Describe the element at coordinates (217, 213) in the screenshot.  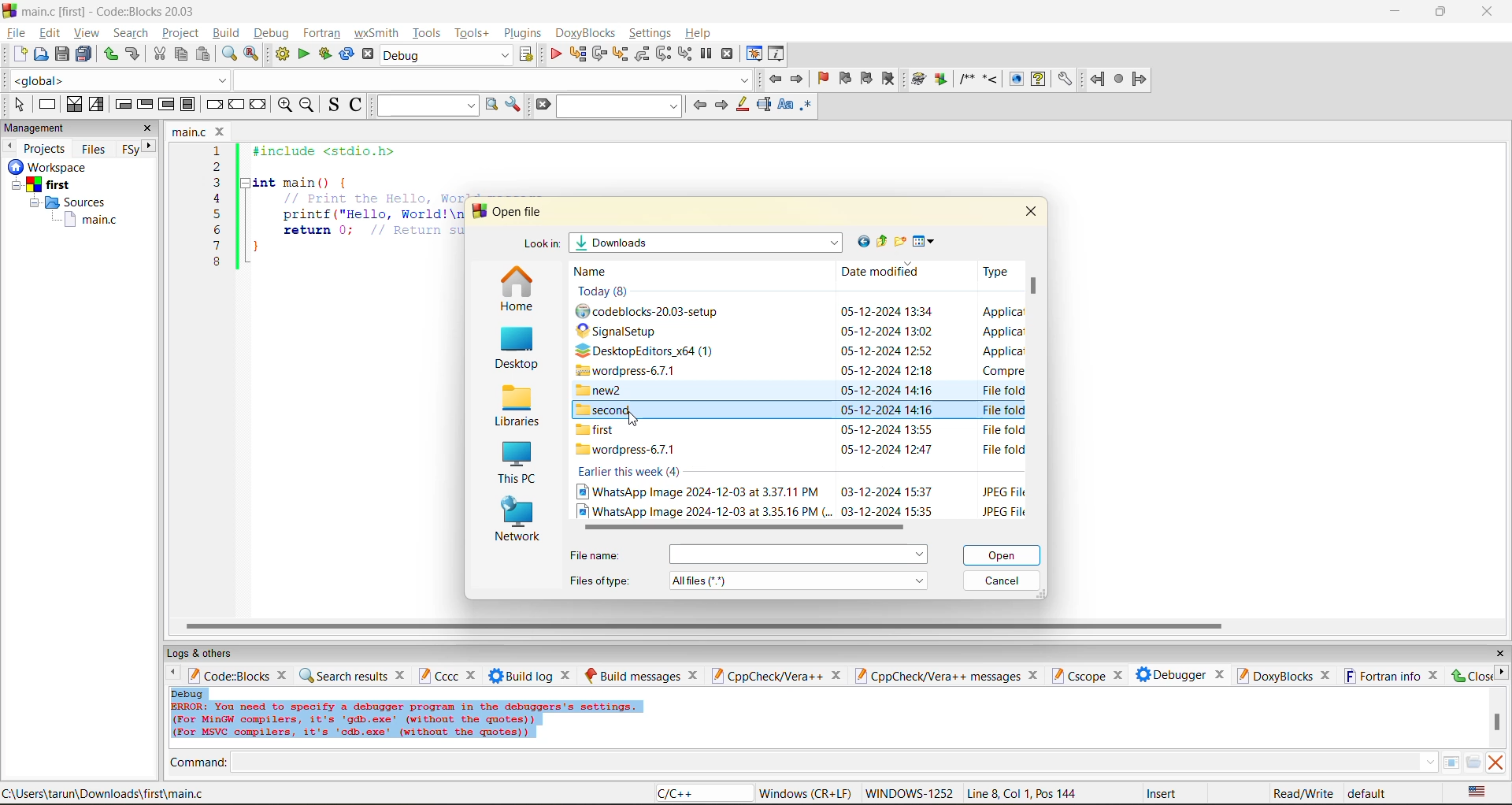
I see `5` at that location.